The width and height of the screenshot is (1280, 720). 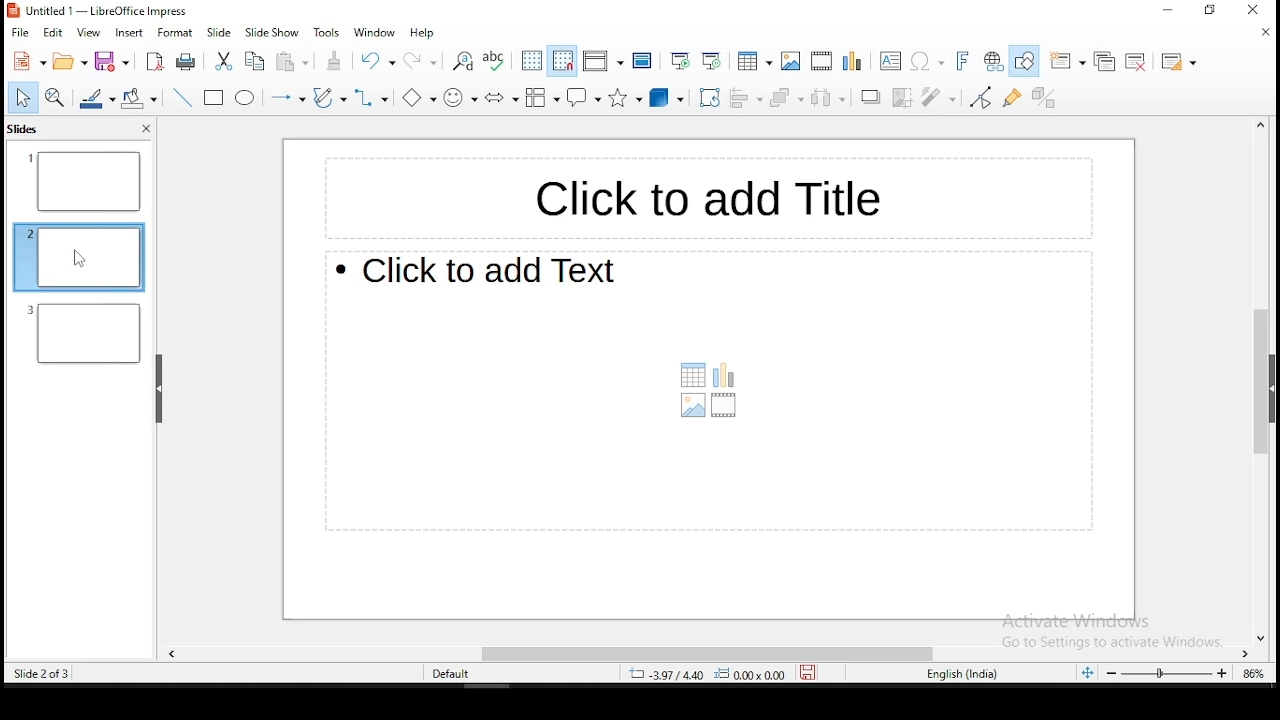 What do you see at coordinates (1213, 11) in the screenshot?
I see `restore` at bounding box center [1213, 11].